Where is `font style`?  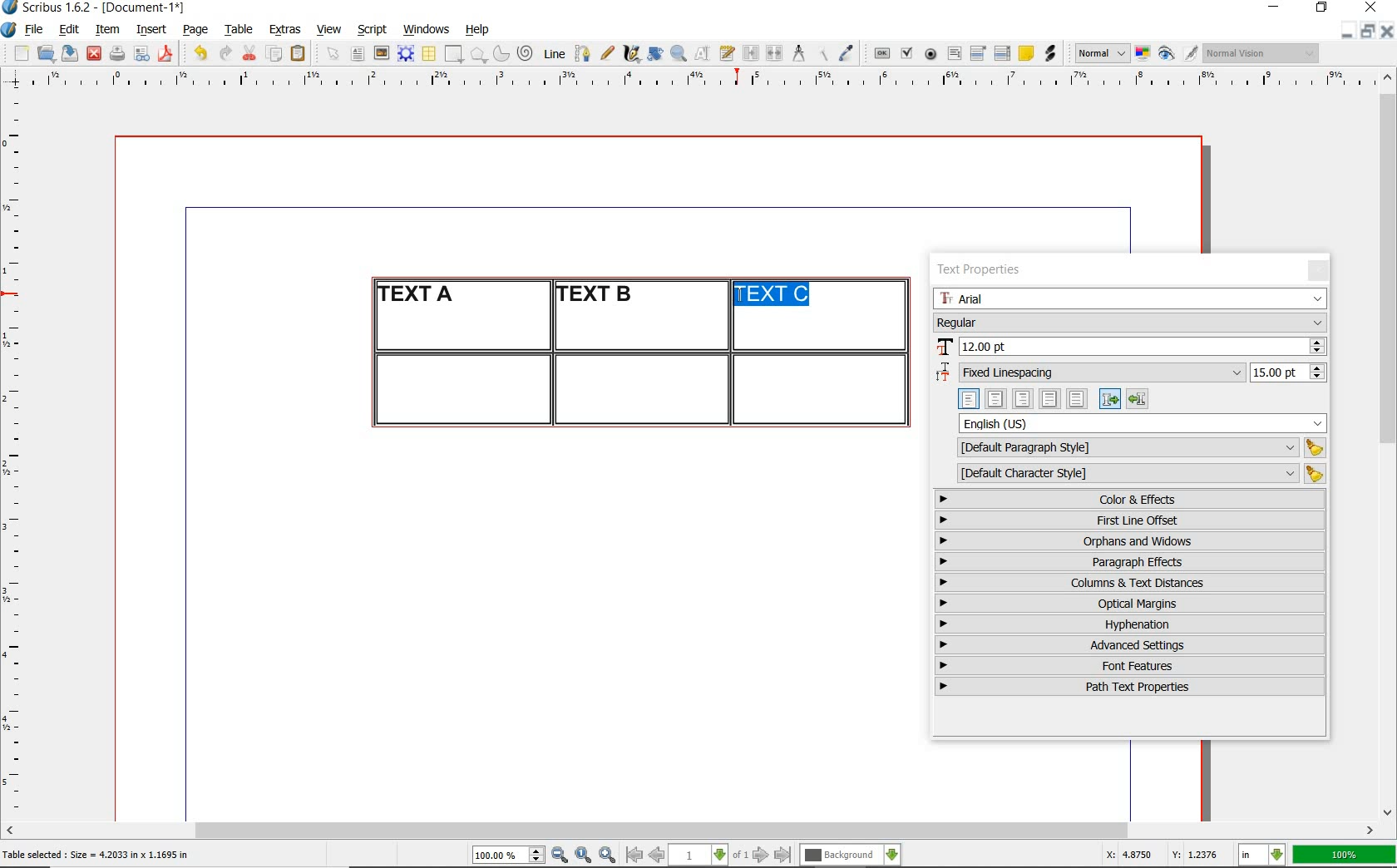 font style is located at coordinates (1130, 322).